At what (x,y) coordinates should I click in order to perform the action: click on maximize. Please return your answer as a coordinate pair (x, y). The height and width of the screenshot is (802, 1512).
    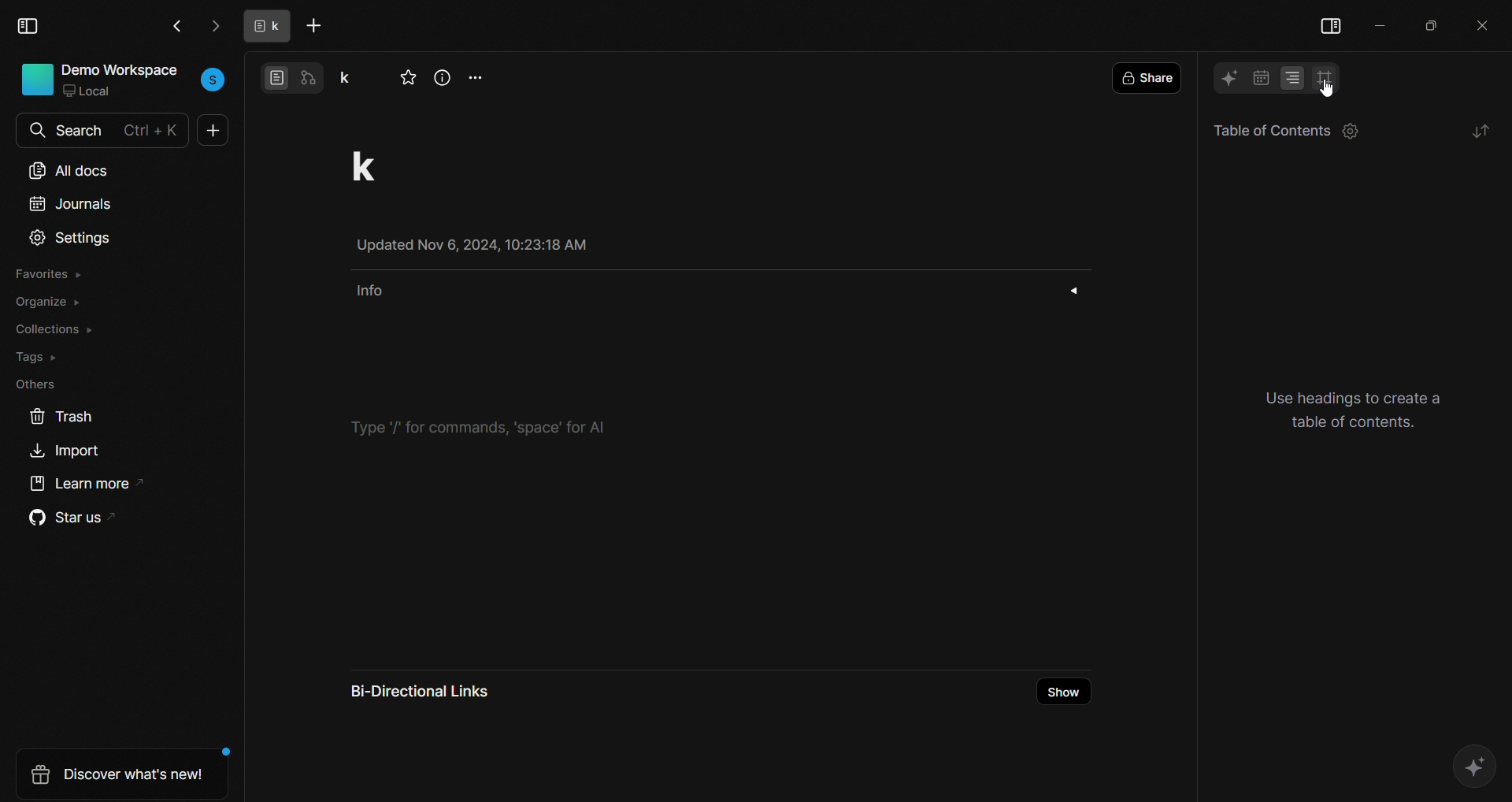
    Looking at the image, I should click on (1431, 24).